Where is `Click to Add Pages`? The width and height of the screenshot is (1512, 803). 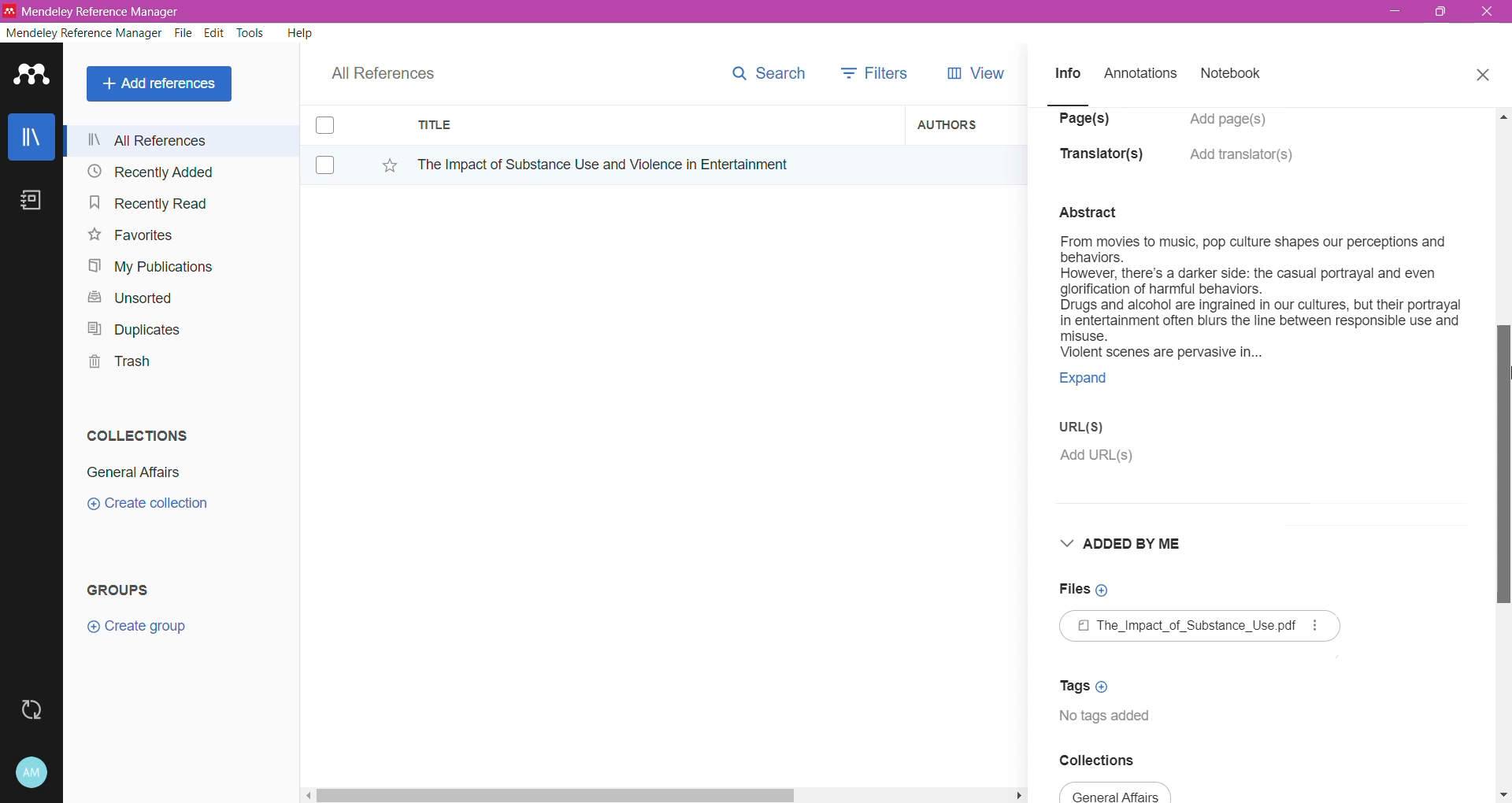
Click to Add Pages is located at coordinates (1236, 121).